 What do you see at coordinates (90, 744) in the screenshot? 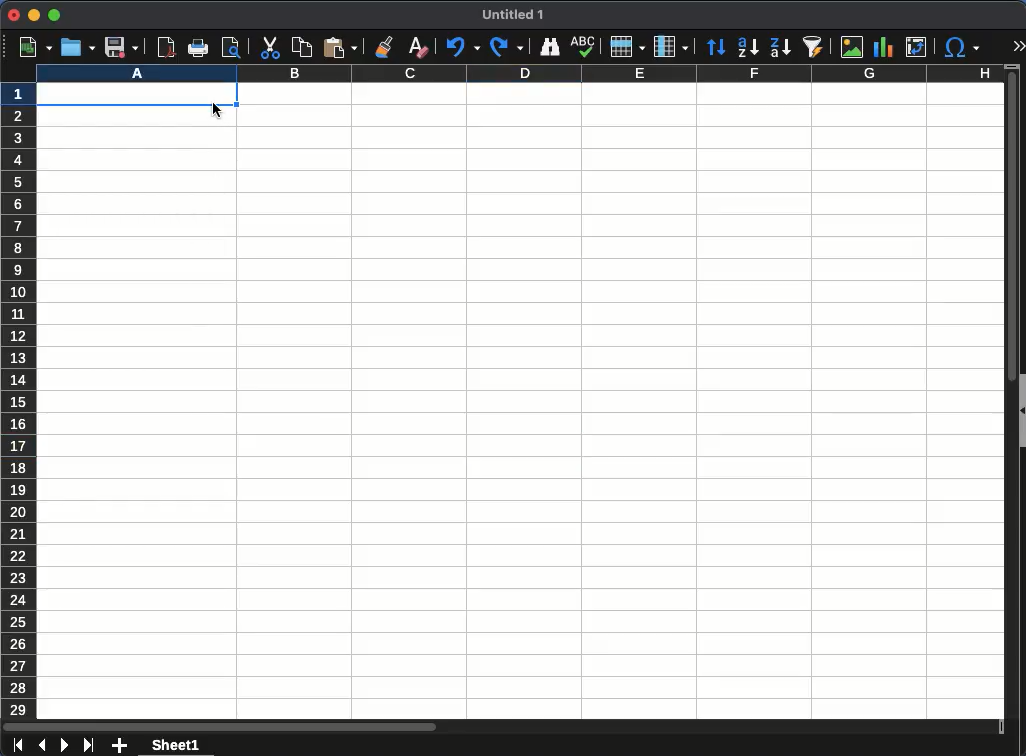
I see `last sheet` at bounding box center [90, 744].